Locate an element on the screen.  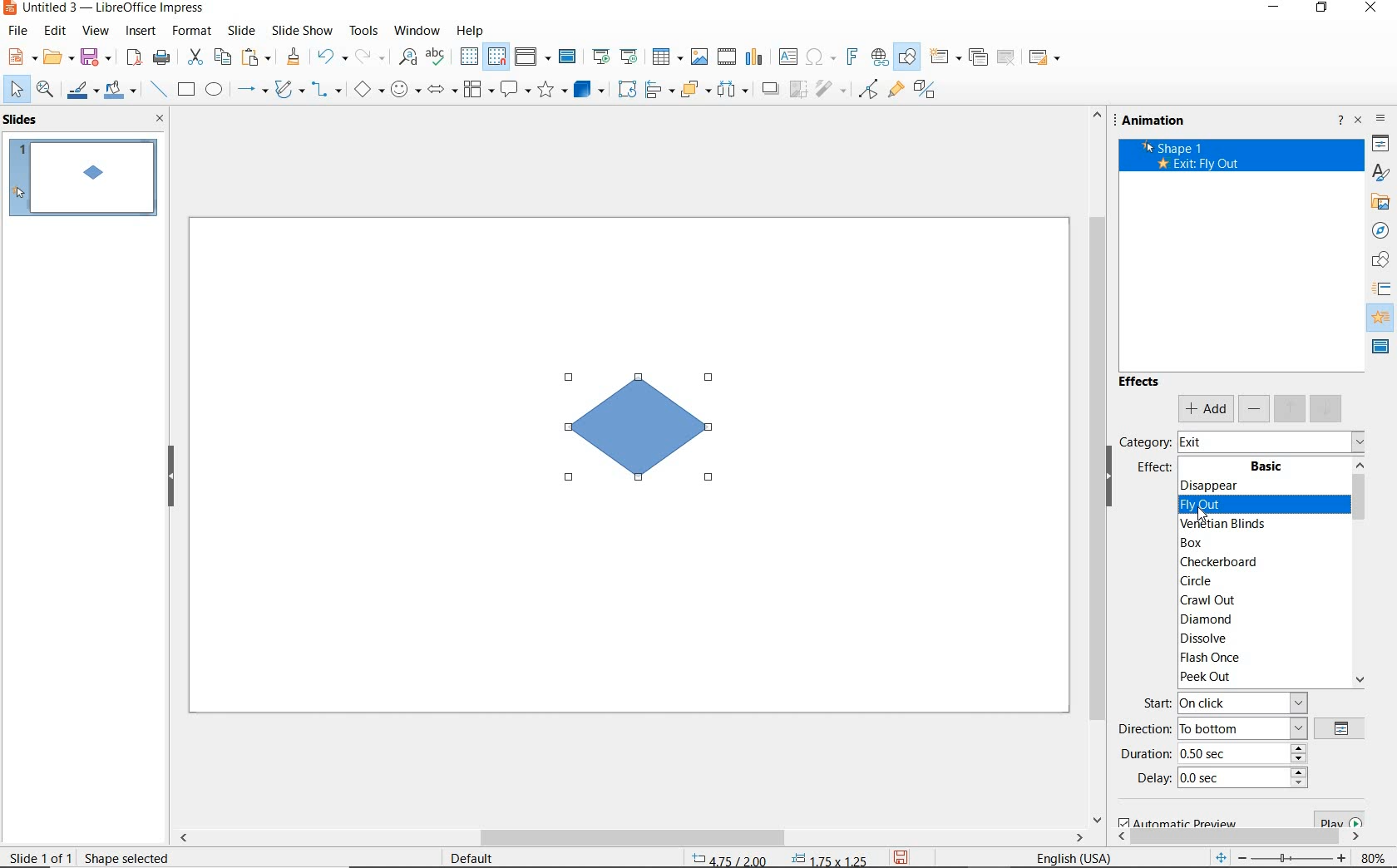
slide 1 is located at coordinates (82, 180).